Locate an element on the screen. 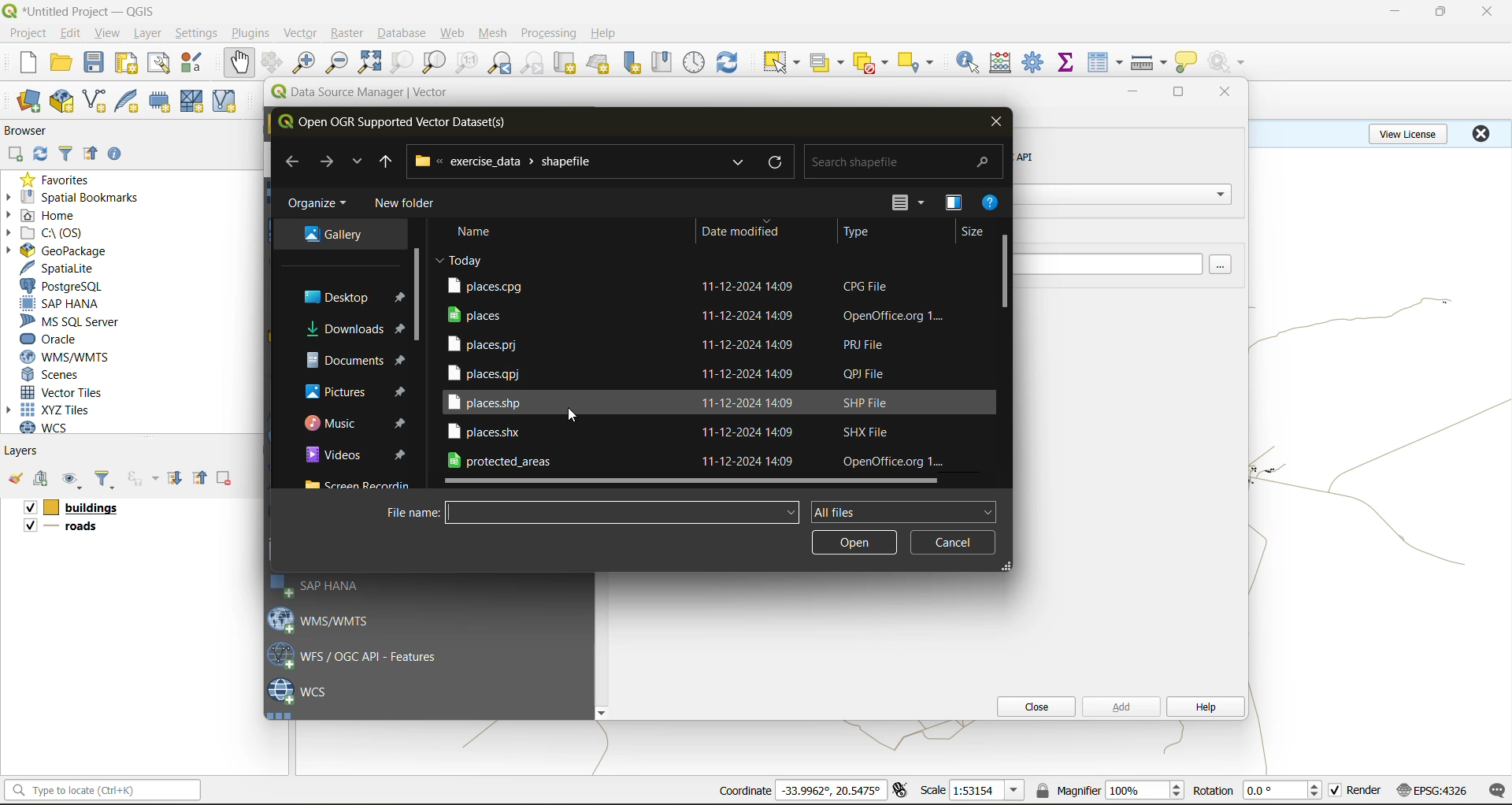 Image resolution: width=1512 pixels, height=805 pixels. file/folder names is located at coordinates (713, 284).